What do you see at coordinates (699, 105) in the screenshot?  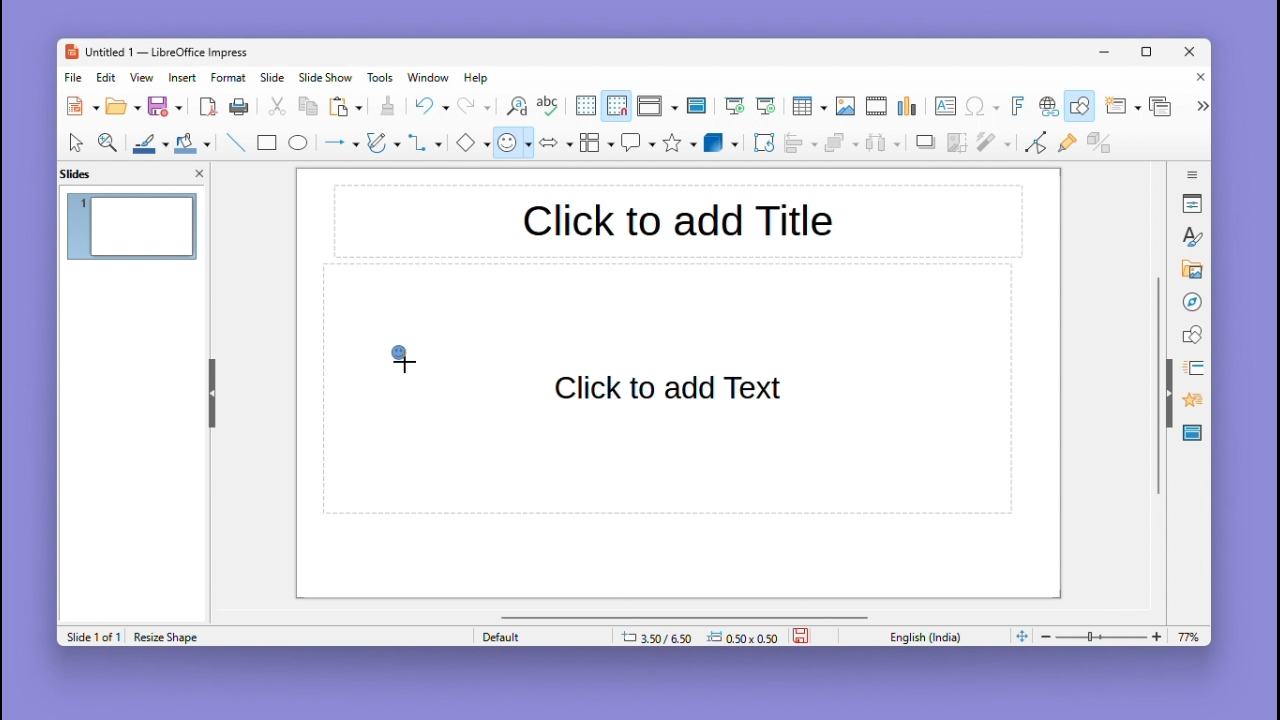 I see `Master slide` at bounding box center [699, 105].